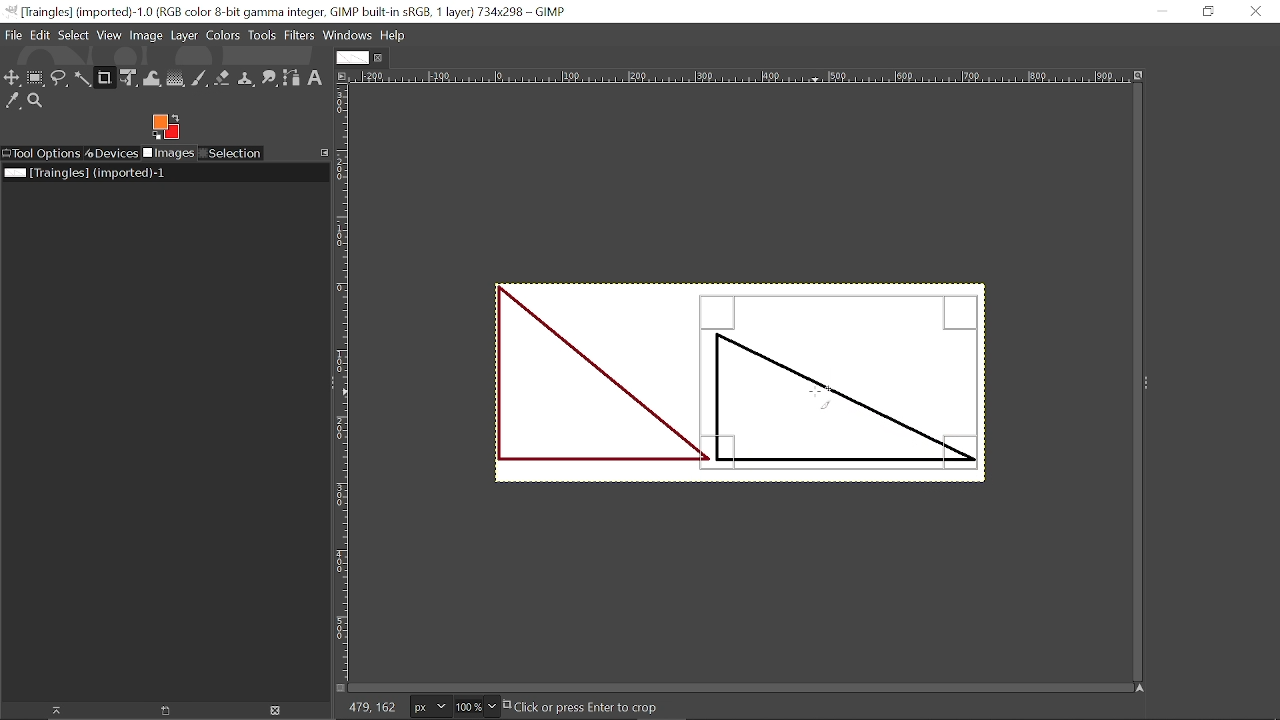 The height and width of the screenshot is (720, 1280). What do you see at coordinates (83, 80) in the screenshot?
I see `Fuzzy select tool` at bounding box center [83, 80].